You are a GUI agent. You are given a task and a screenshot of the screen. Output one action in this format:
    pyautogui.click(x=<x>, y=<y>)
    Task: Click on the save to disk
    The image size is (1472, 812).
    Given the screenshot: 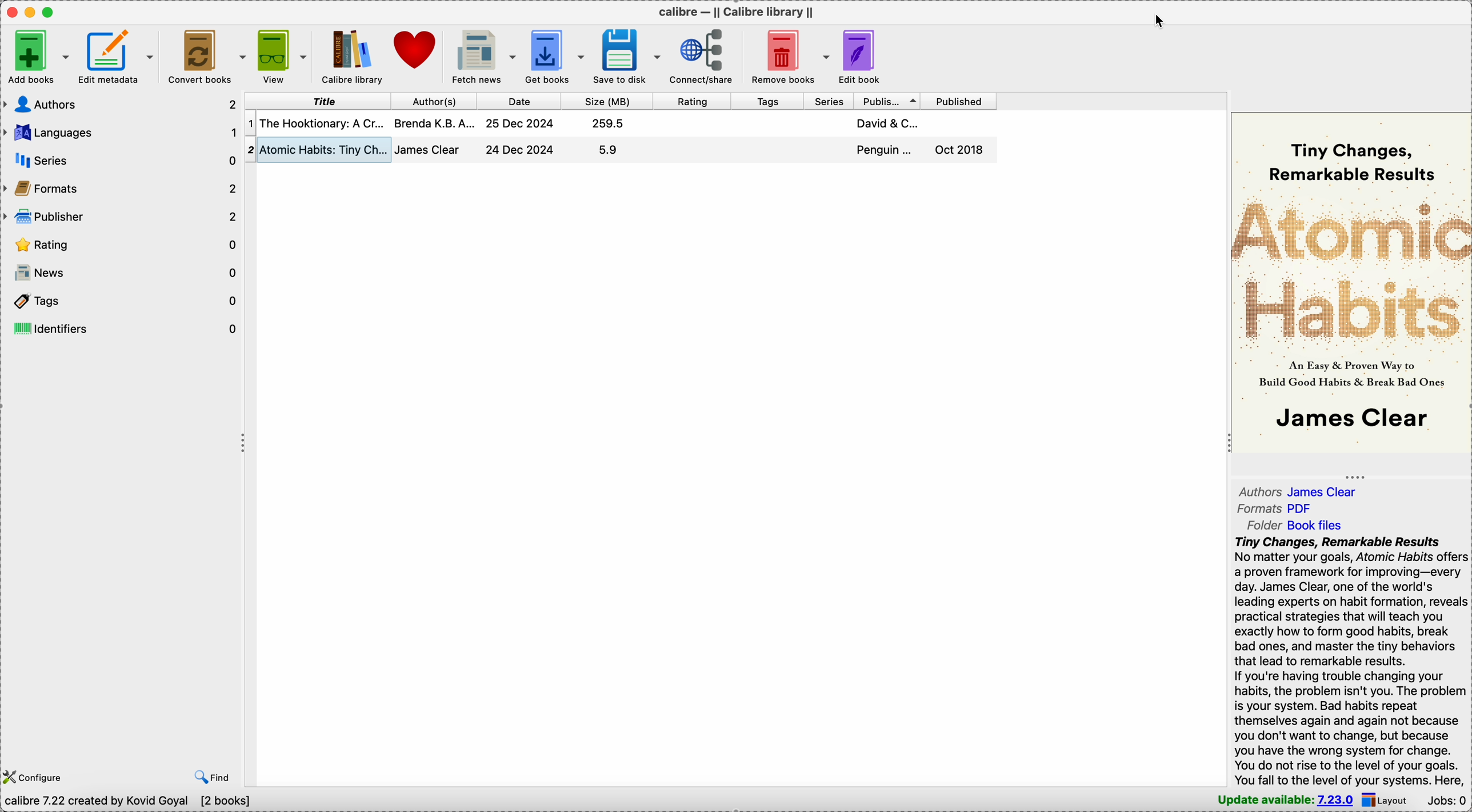 What is the action you would take?
    pyautogui.click(x=629, y=55)
    